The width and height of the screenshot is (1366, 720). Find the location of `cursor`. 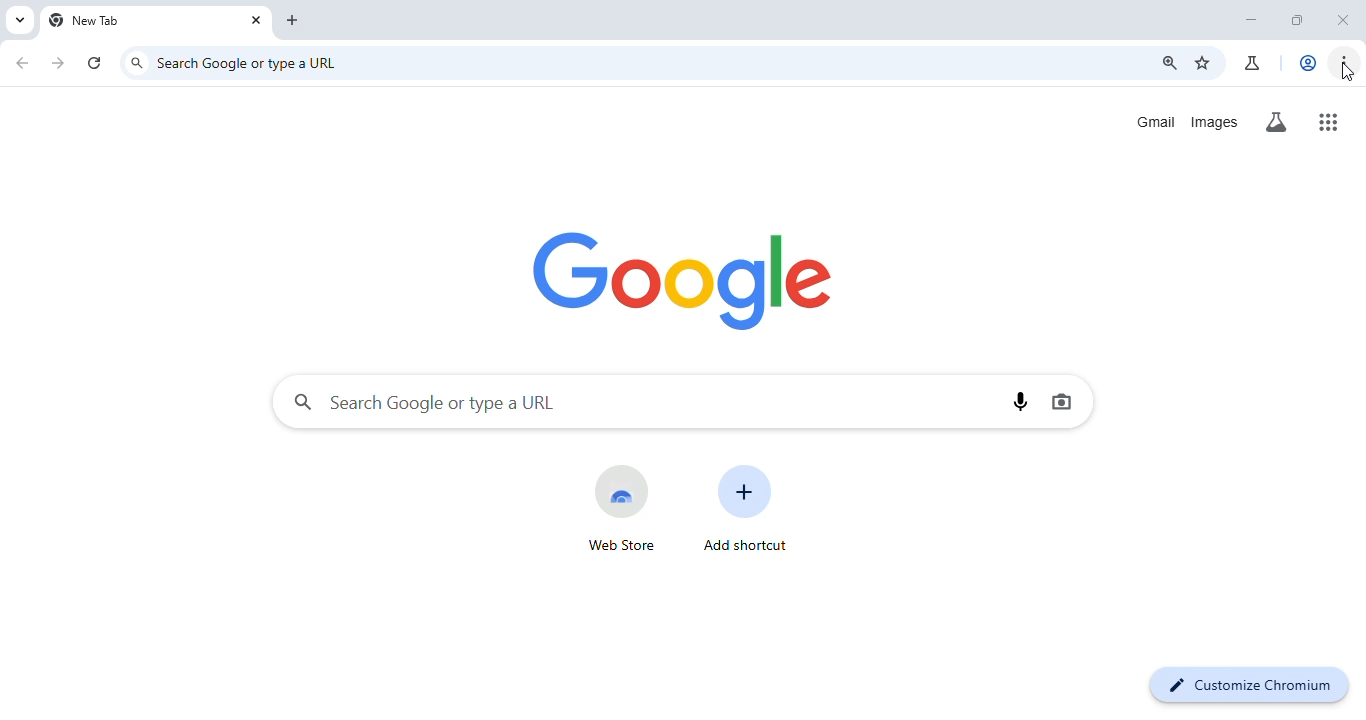

cursor is located at coordinates (1347, 74).